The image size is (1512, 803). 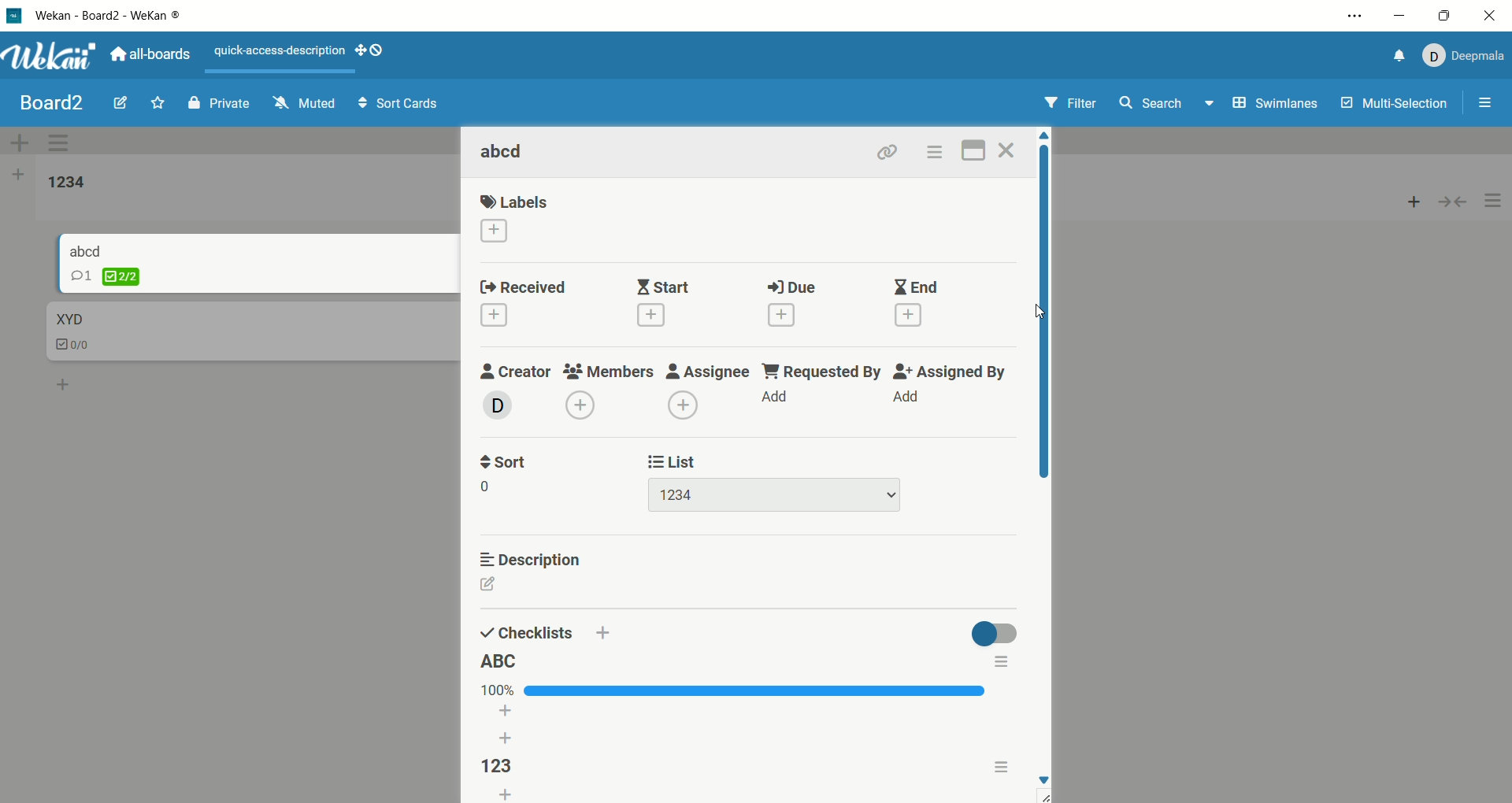 I want to click on assigned by, so click(x=947, y=372).